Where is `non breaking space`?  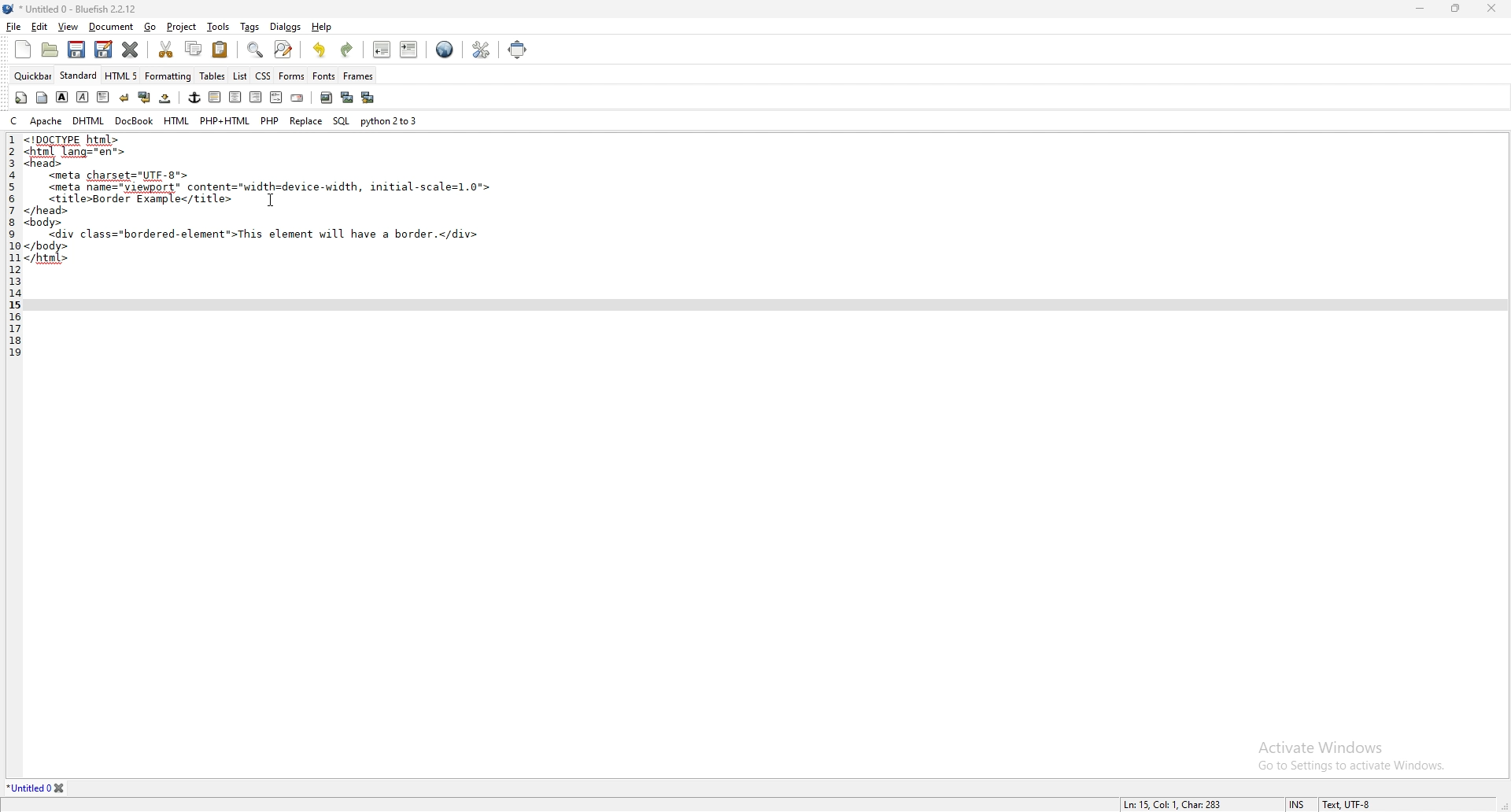 non breaking space is located at coordinates (166, 98).